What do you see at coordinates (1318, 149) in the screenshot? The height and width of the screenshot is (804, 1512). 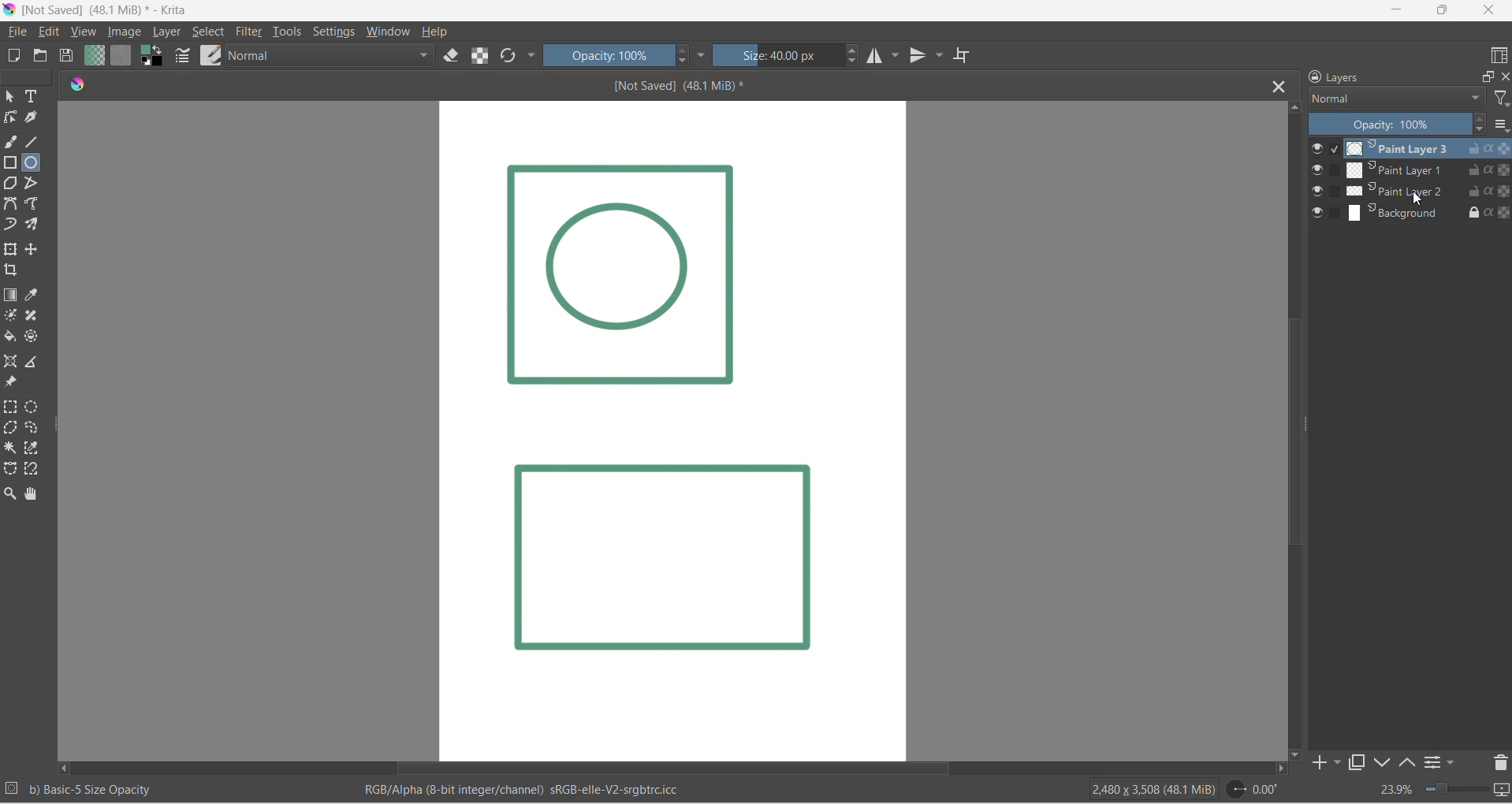 I see `visibility` at bounding box center [1318, 149].